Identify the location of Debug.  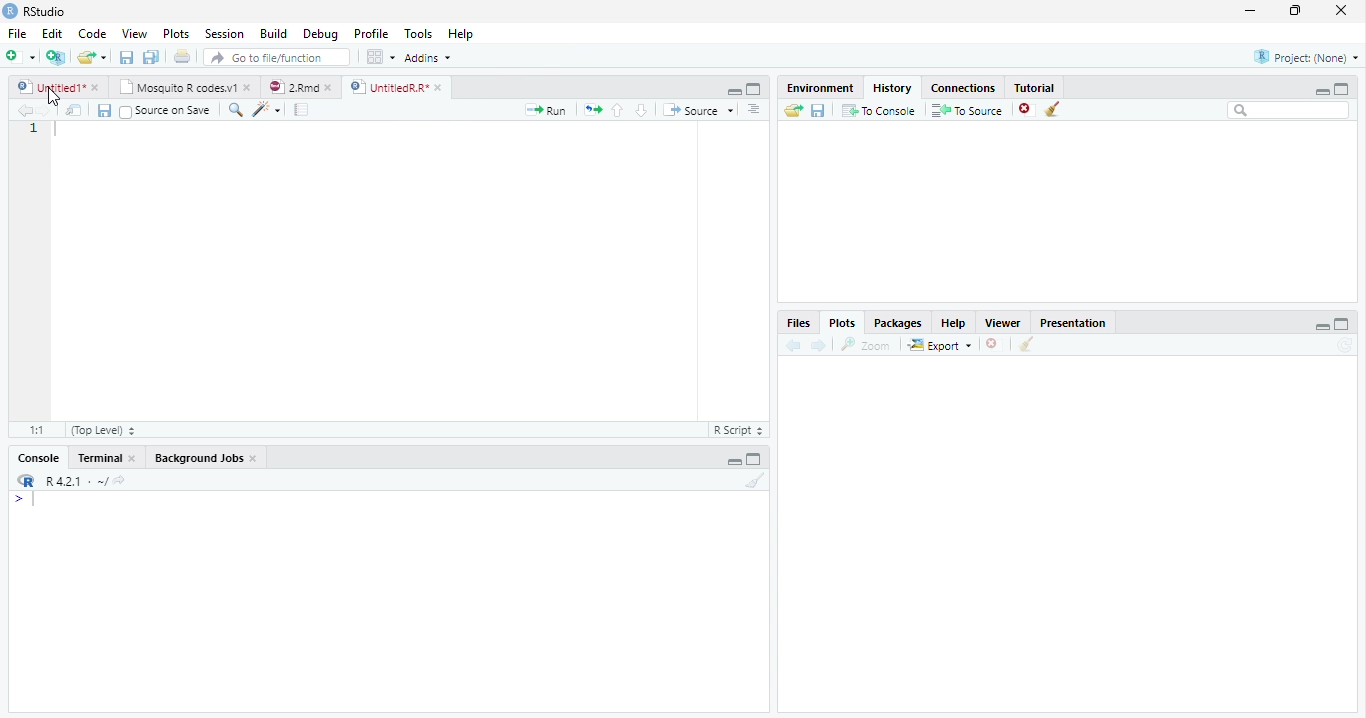
(321, 33).